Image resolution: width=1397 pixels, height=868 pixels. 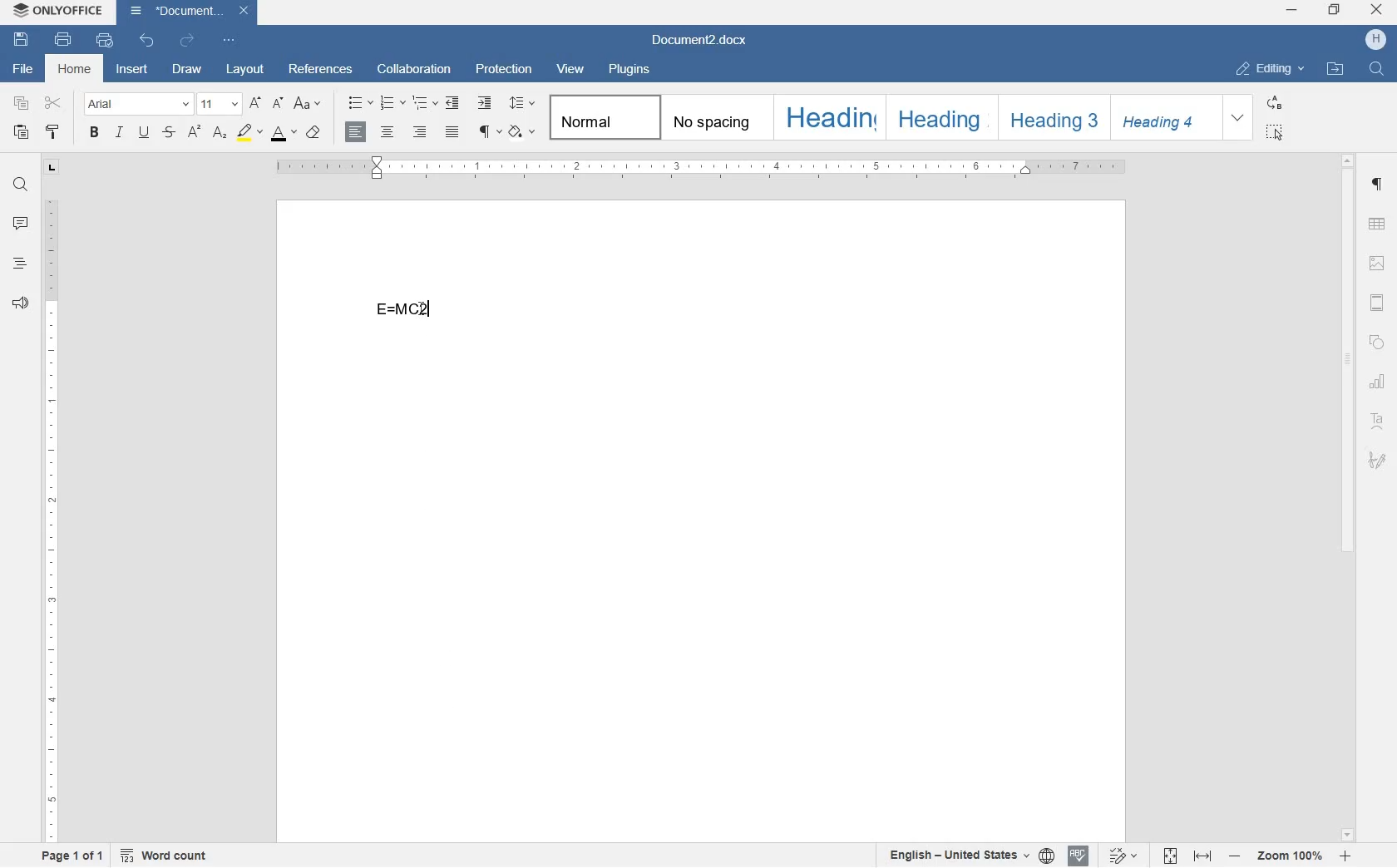 What do you see at coordinates (1376, 40) in the screenshot?
I see `hp` at bounding box center [1376, 40].